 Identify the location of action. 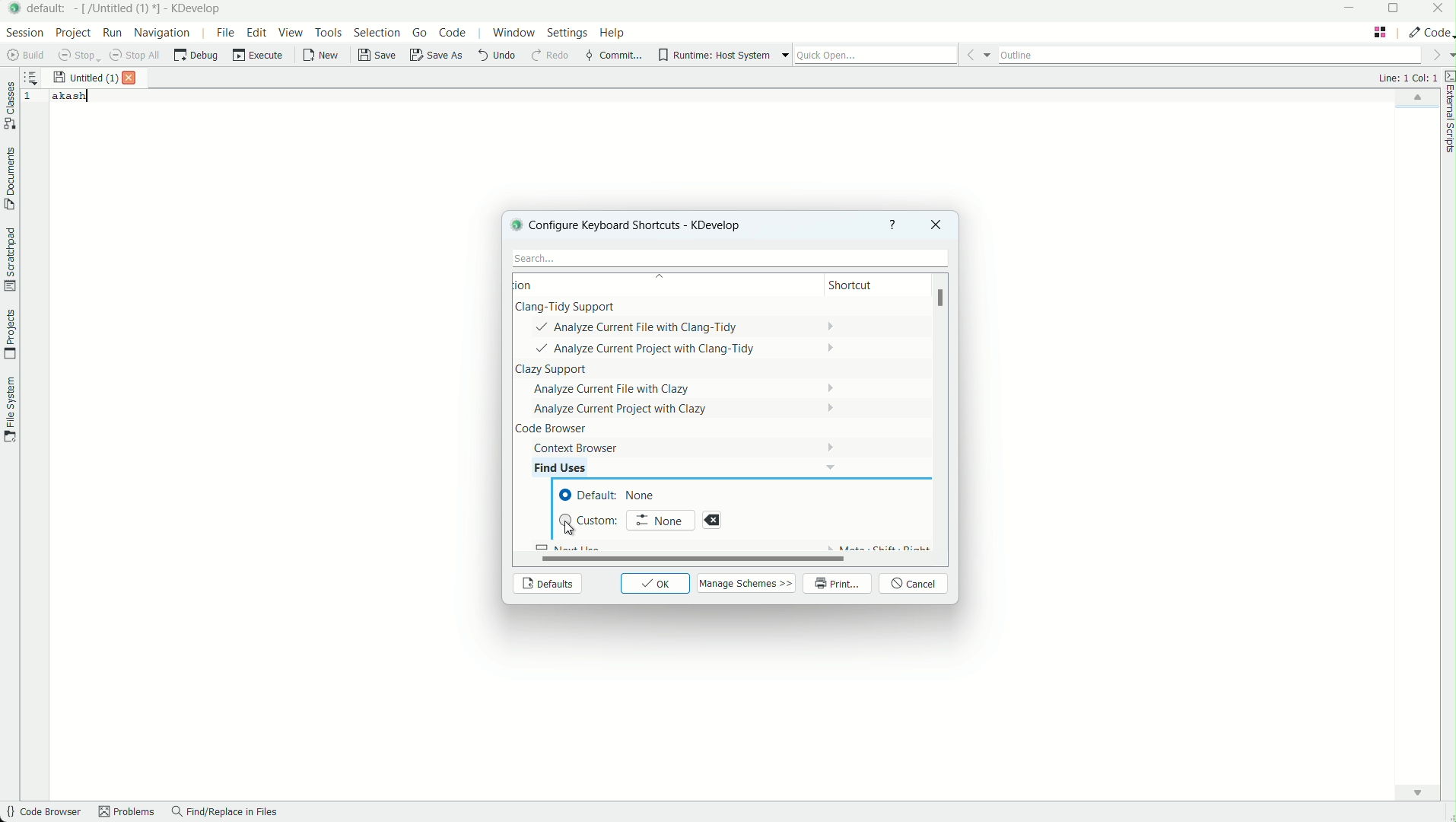
(544, 285).